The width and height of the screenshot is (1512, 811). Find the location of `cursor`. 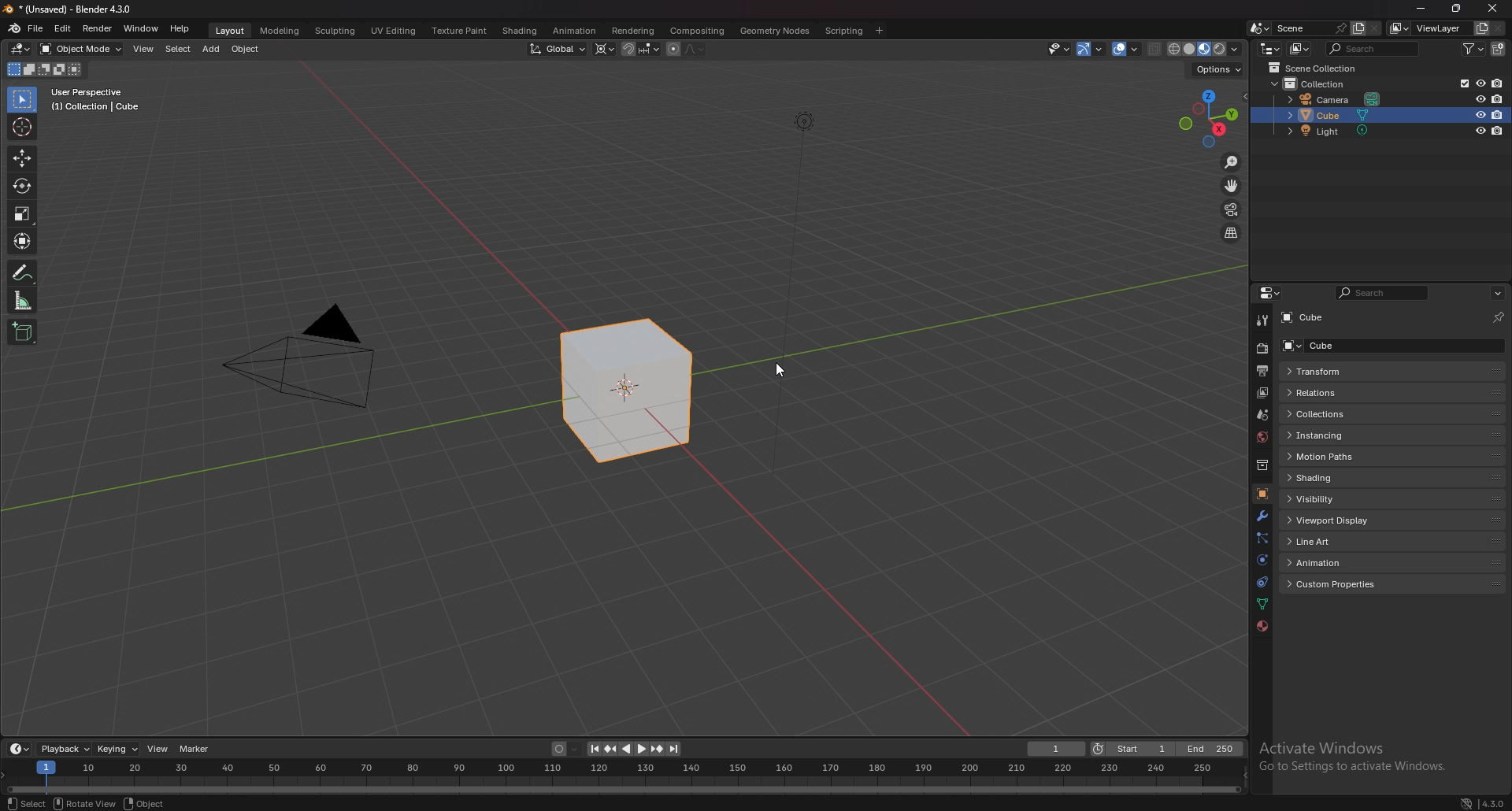

cursor is located at coordinates (21, 127).